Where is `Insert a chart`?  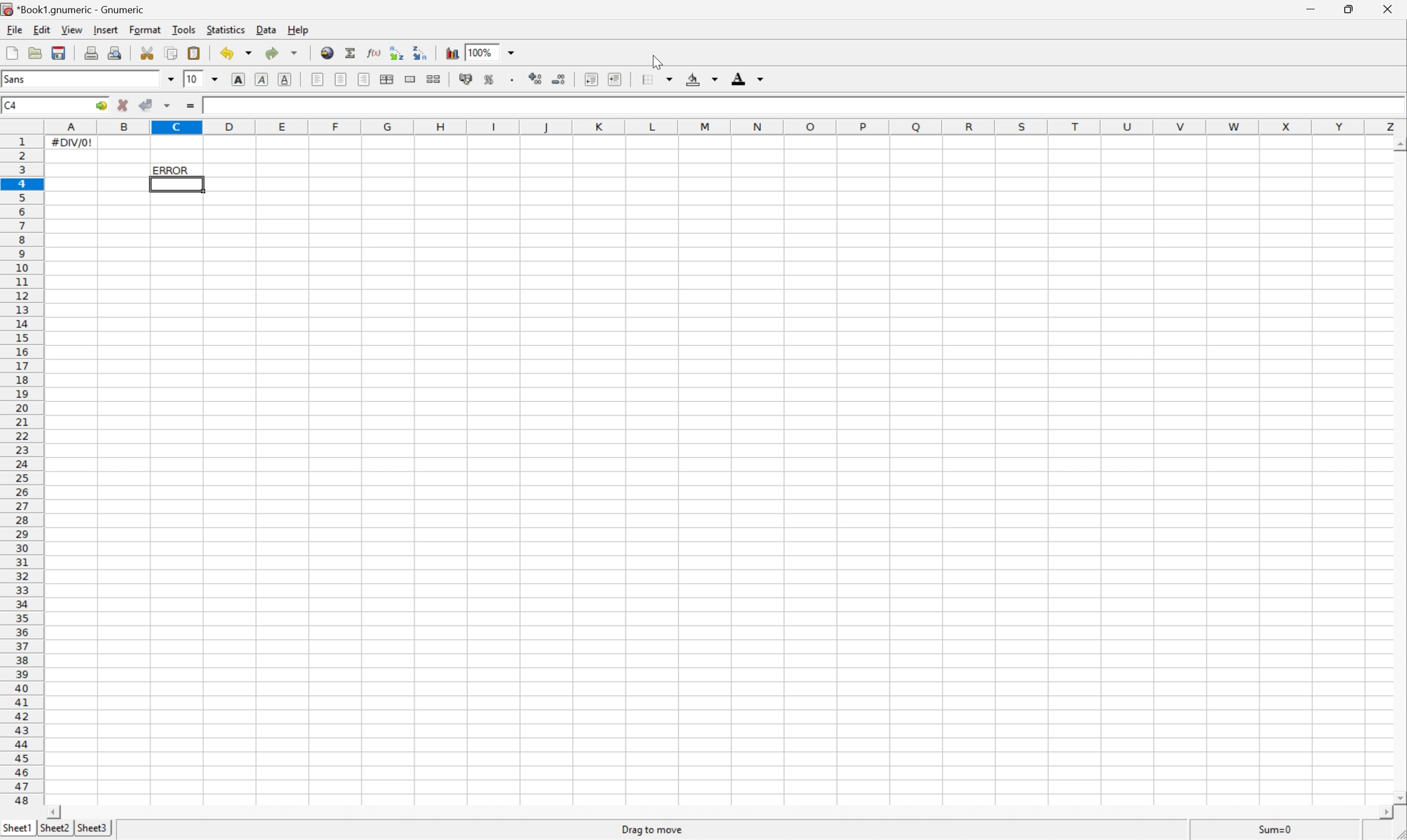 Insert a chart is located at coordinates (452, 53).